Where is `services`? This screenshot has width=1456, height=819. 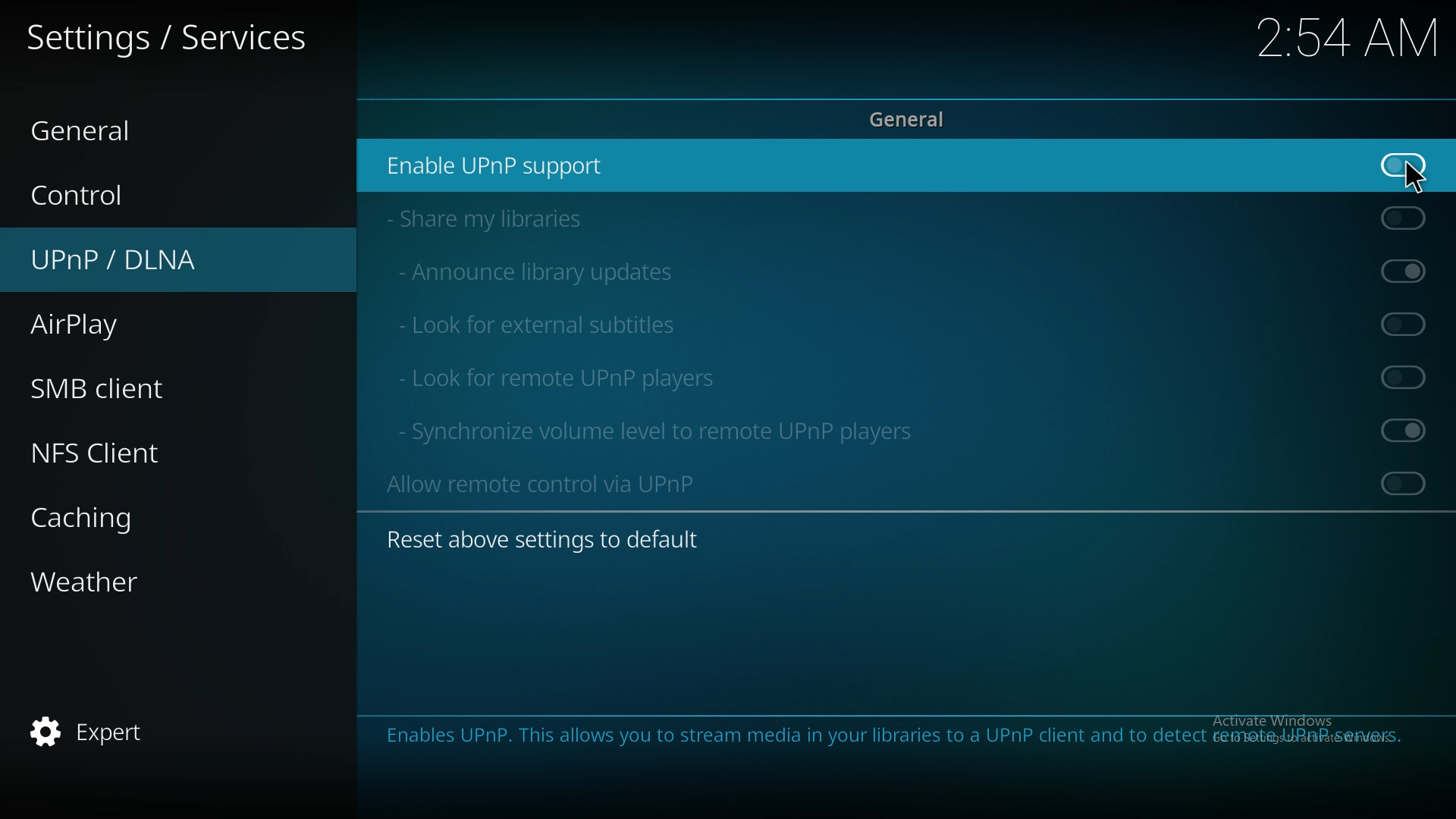 services is located at coordinates (168, 42).